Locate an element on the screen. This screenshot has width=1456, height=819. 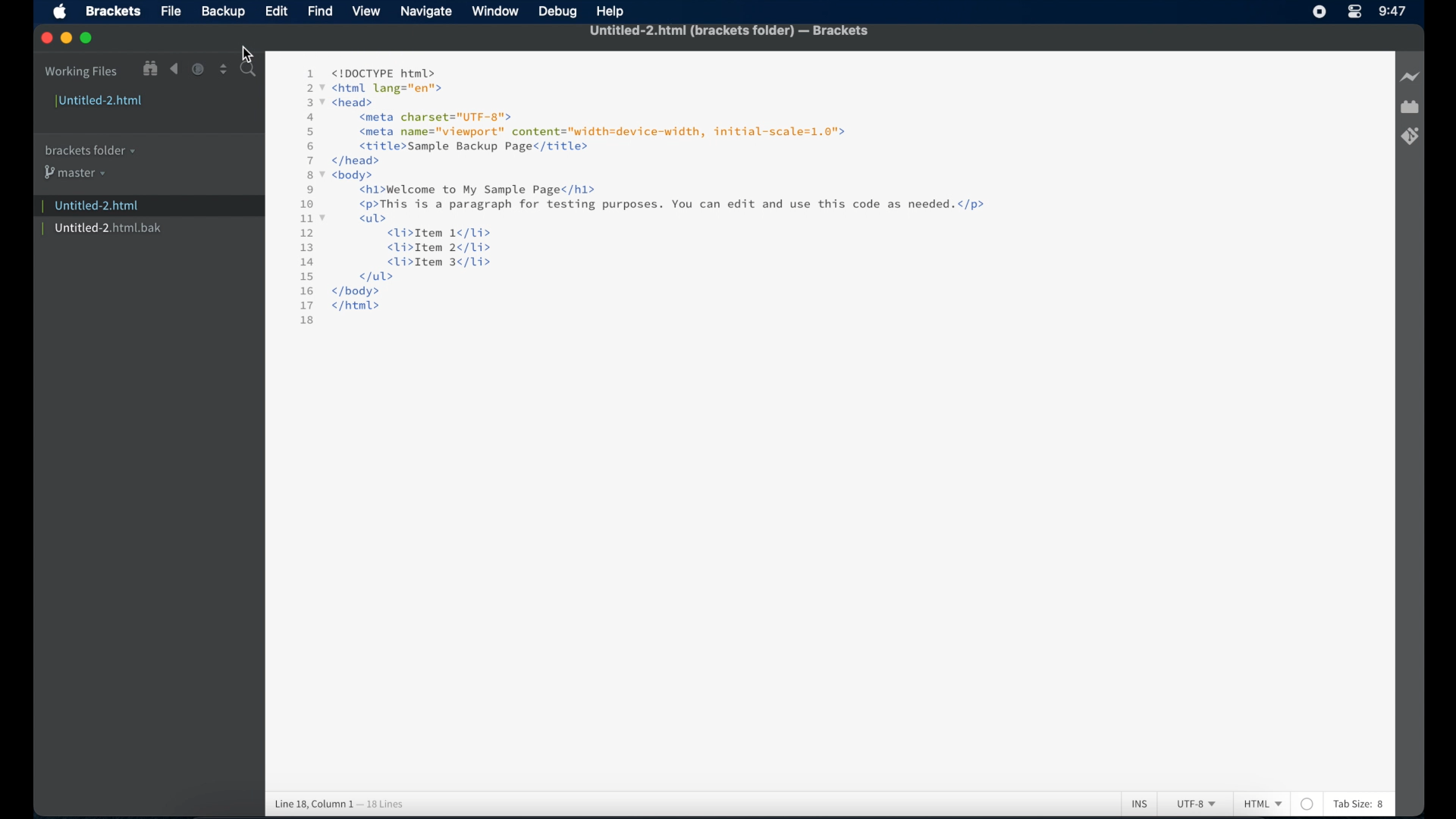
close is located at coordinates (46, 39).